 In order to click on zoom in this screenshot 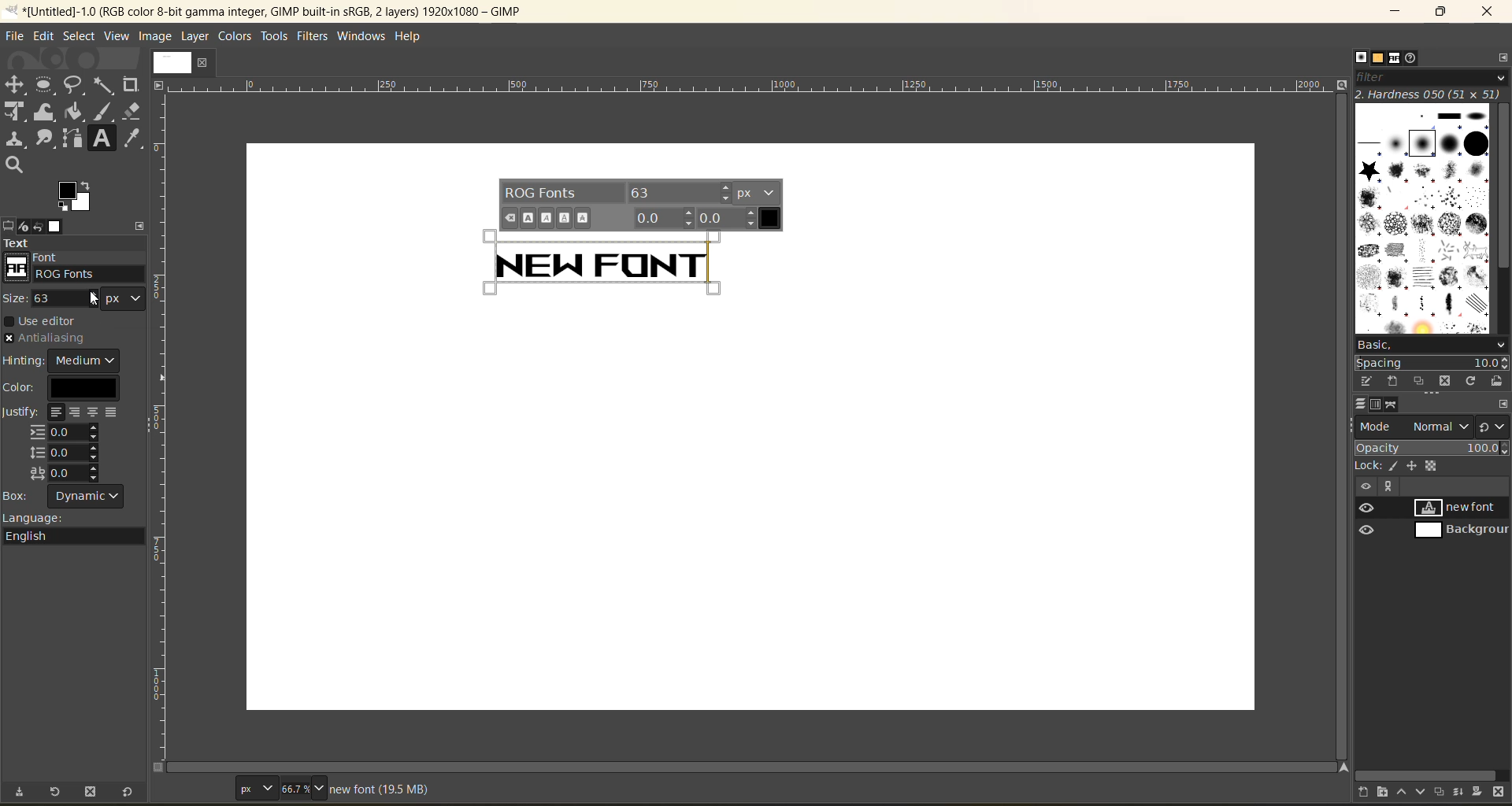, I will do `click(302, 783)`.